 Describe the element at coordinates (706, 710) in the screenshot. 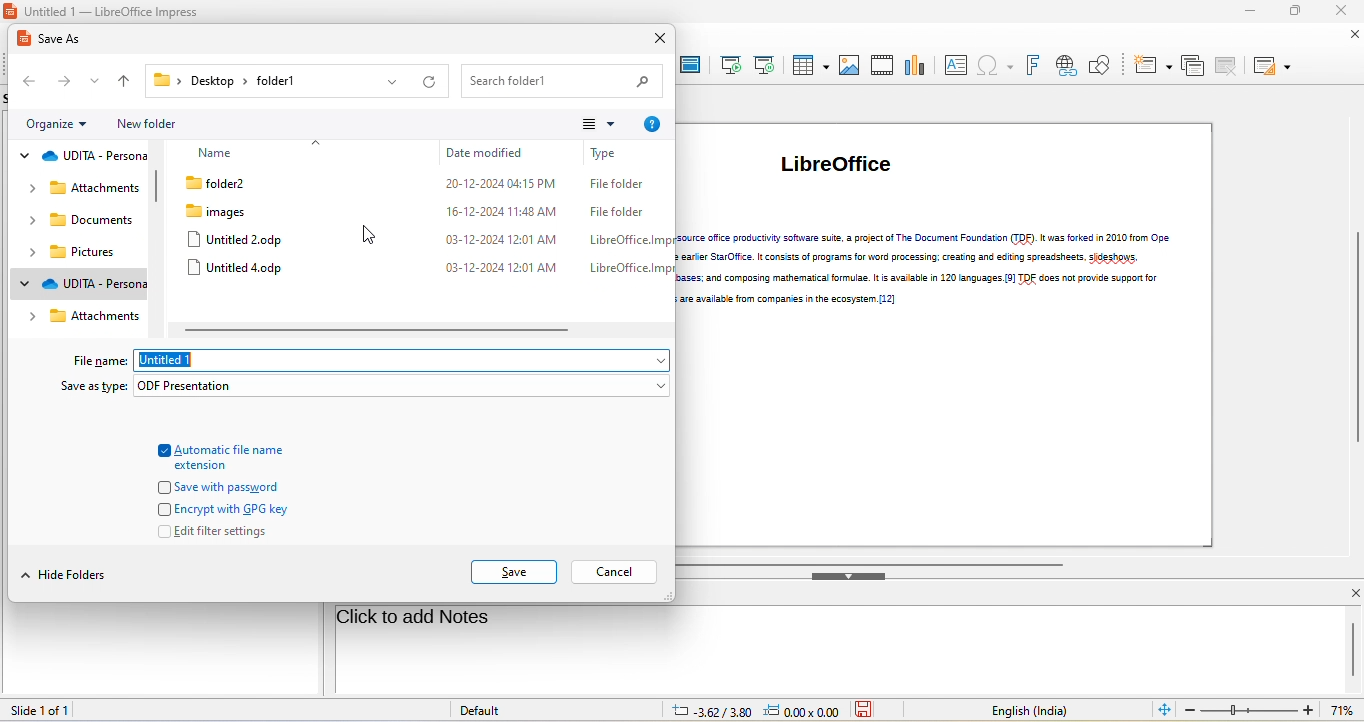

I see `-3.62/3.80` at that location.